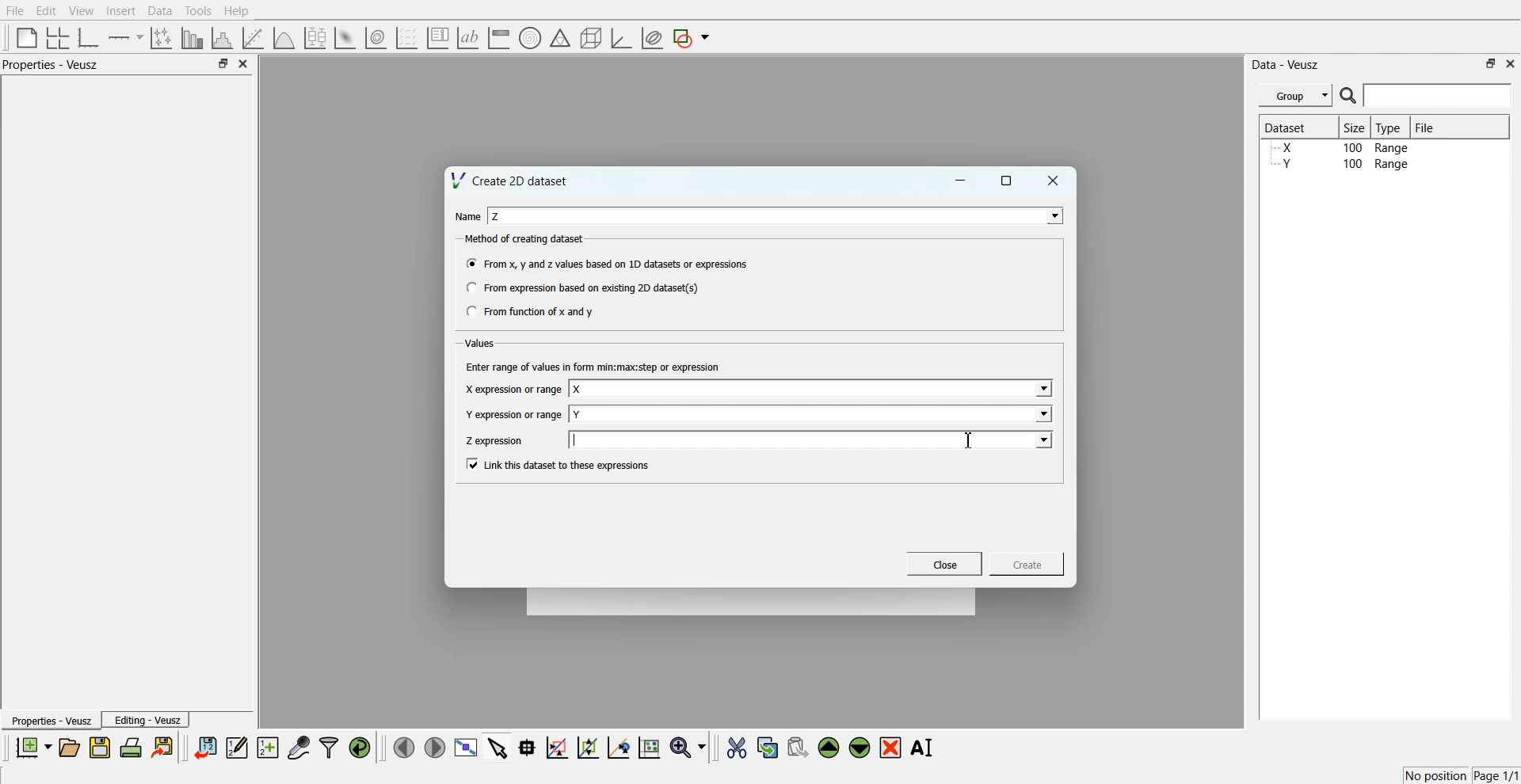 The image size is (1521, 784). Describe the element at coordinates (890, 748) in the screenshot. I see `Remove the selected widget` at that location.